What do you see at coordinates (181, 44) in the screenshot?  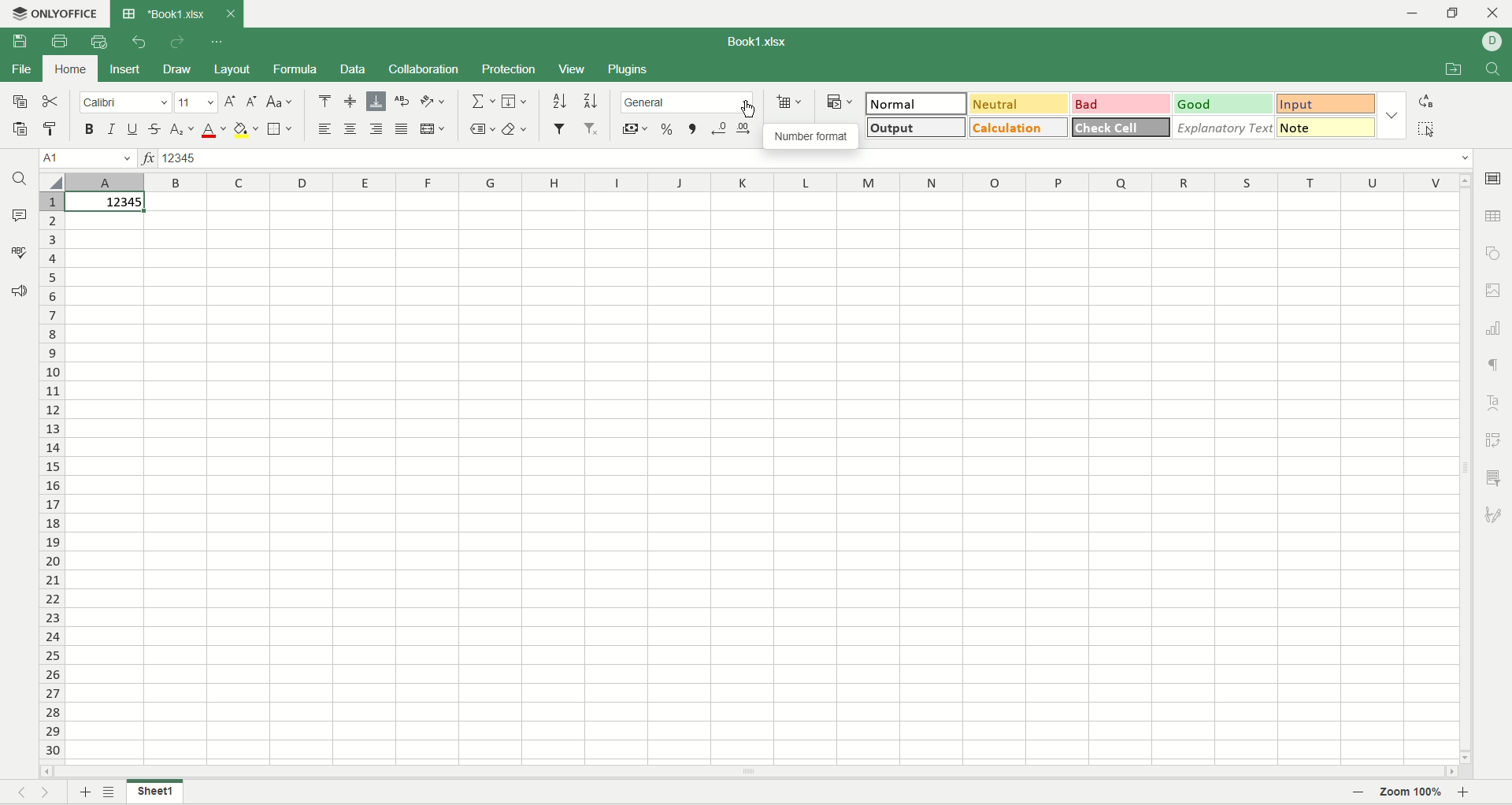 I see `redo` at bounding box center [181, 44].